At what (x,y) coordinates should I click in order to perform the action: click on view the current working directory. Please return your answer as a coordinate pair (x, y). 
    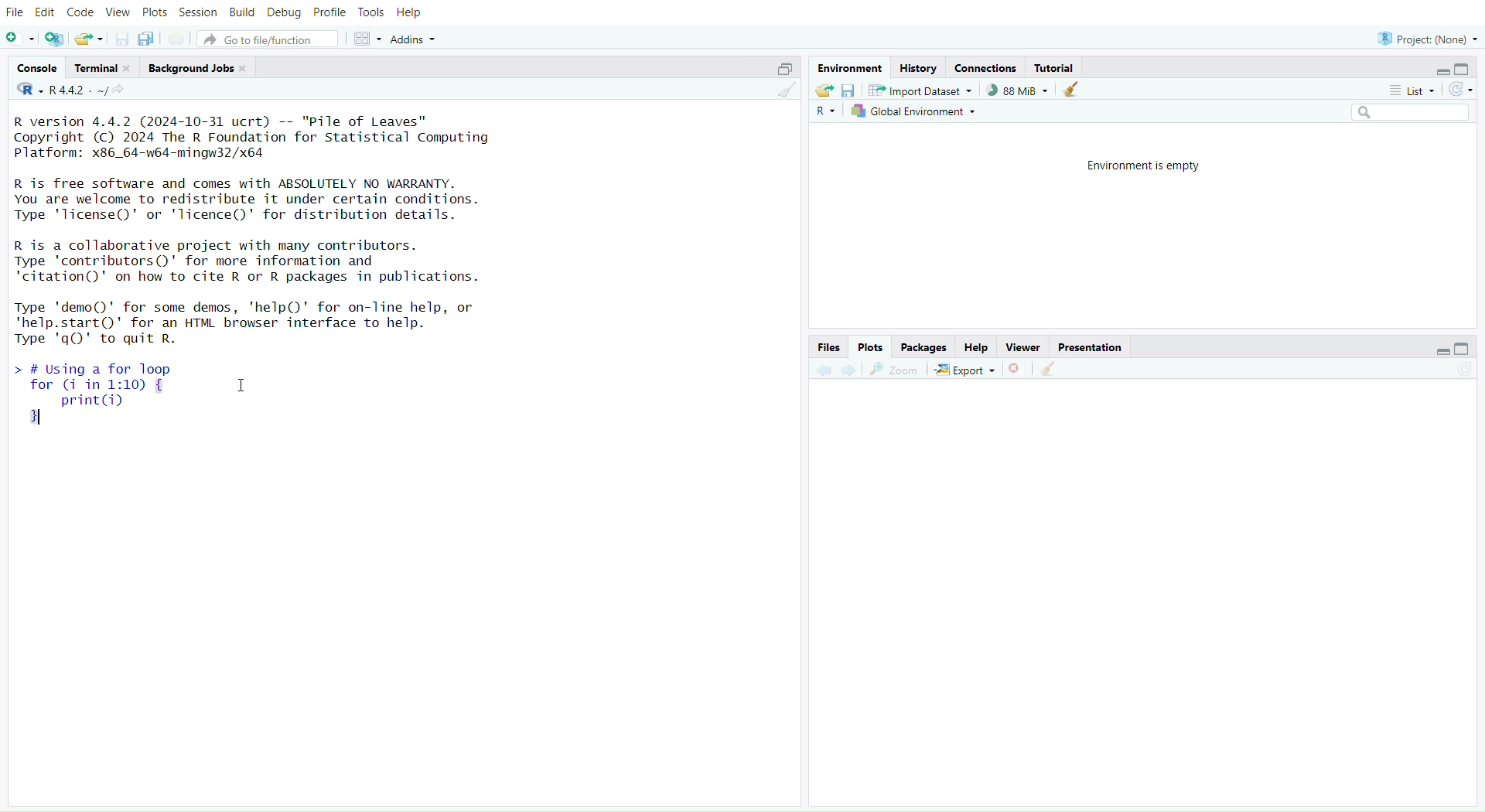
    Looking at the image, I should click on (120, 91).